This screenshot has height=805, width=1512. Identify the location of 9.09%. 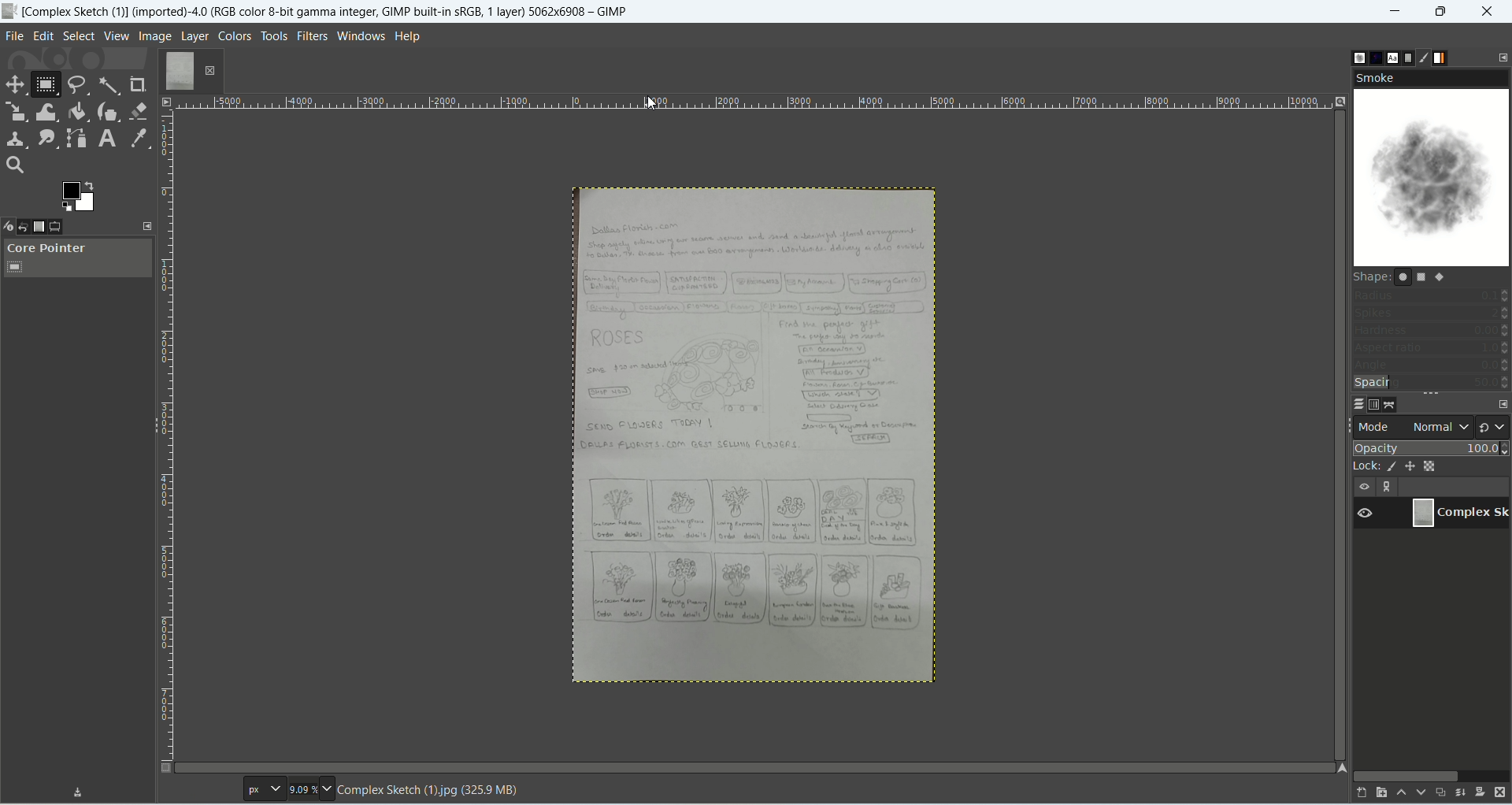
(311, 790).